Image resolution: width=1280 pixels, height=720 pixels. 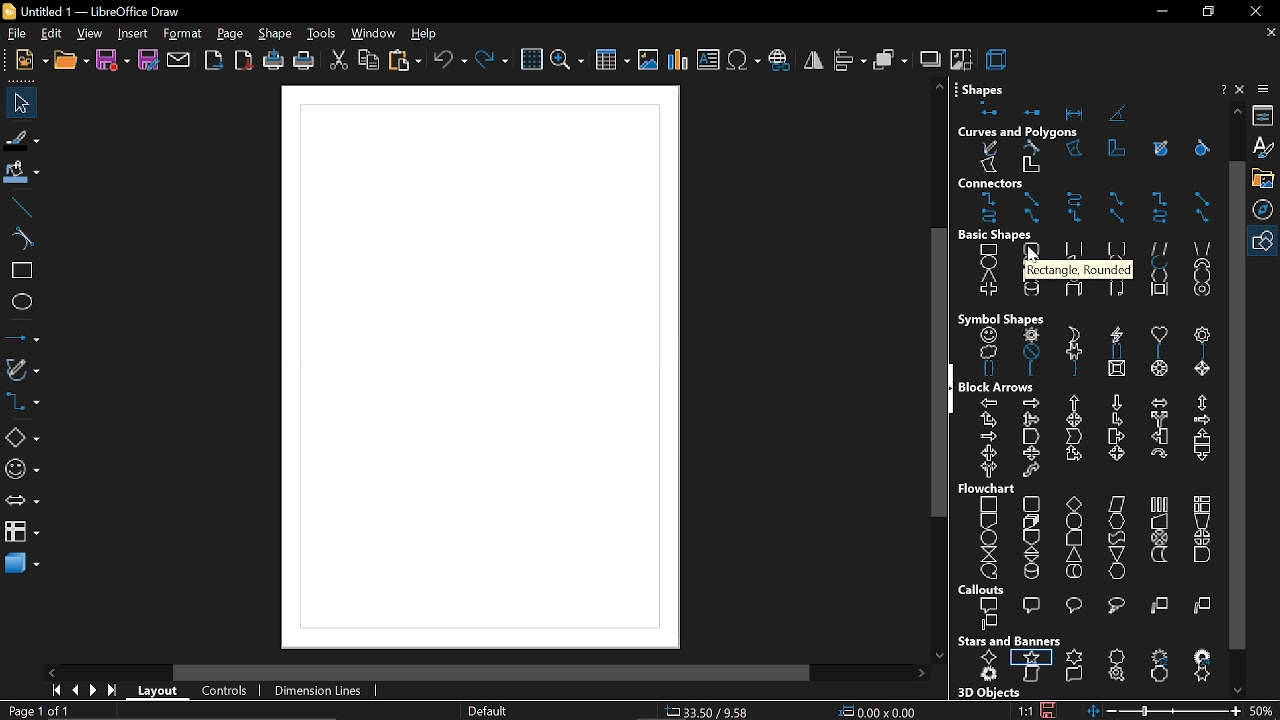 What do you see at coordinates (231, 35) in the screenshot?
I see `page` at bounding box center [231, 35].